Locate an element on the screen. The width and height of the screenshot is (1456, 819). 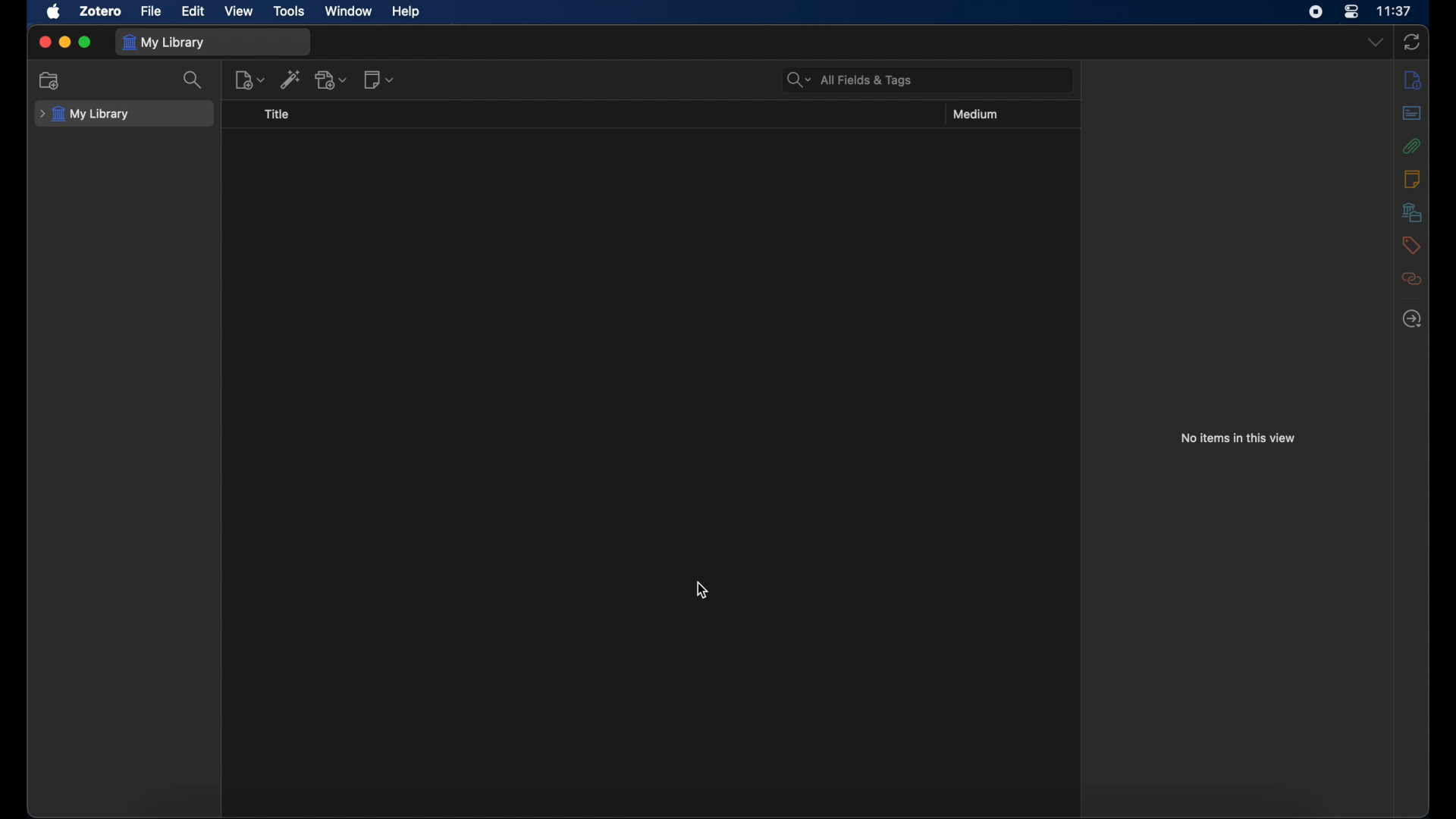
related is located at coordinates (1412, 279).